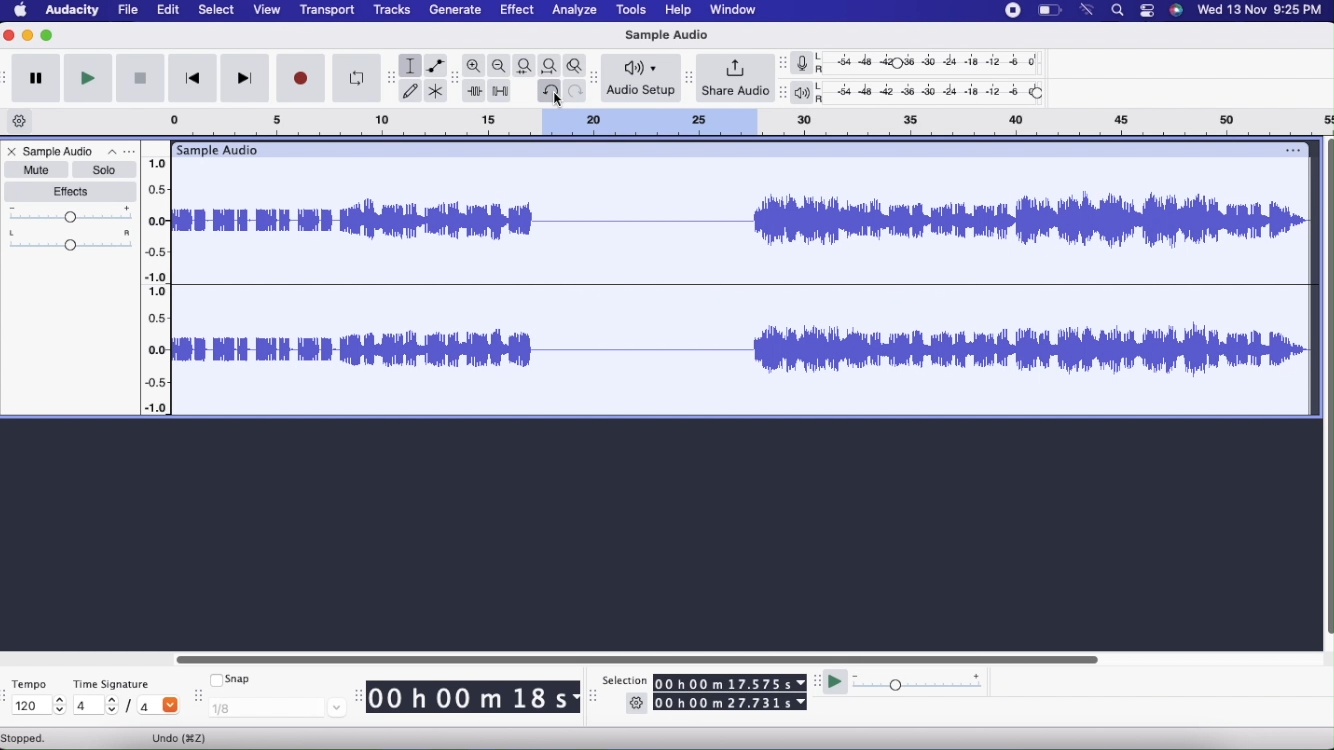  I want to click on Multi-tool, so click(437, 91).